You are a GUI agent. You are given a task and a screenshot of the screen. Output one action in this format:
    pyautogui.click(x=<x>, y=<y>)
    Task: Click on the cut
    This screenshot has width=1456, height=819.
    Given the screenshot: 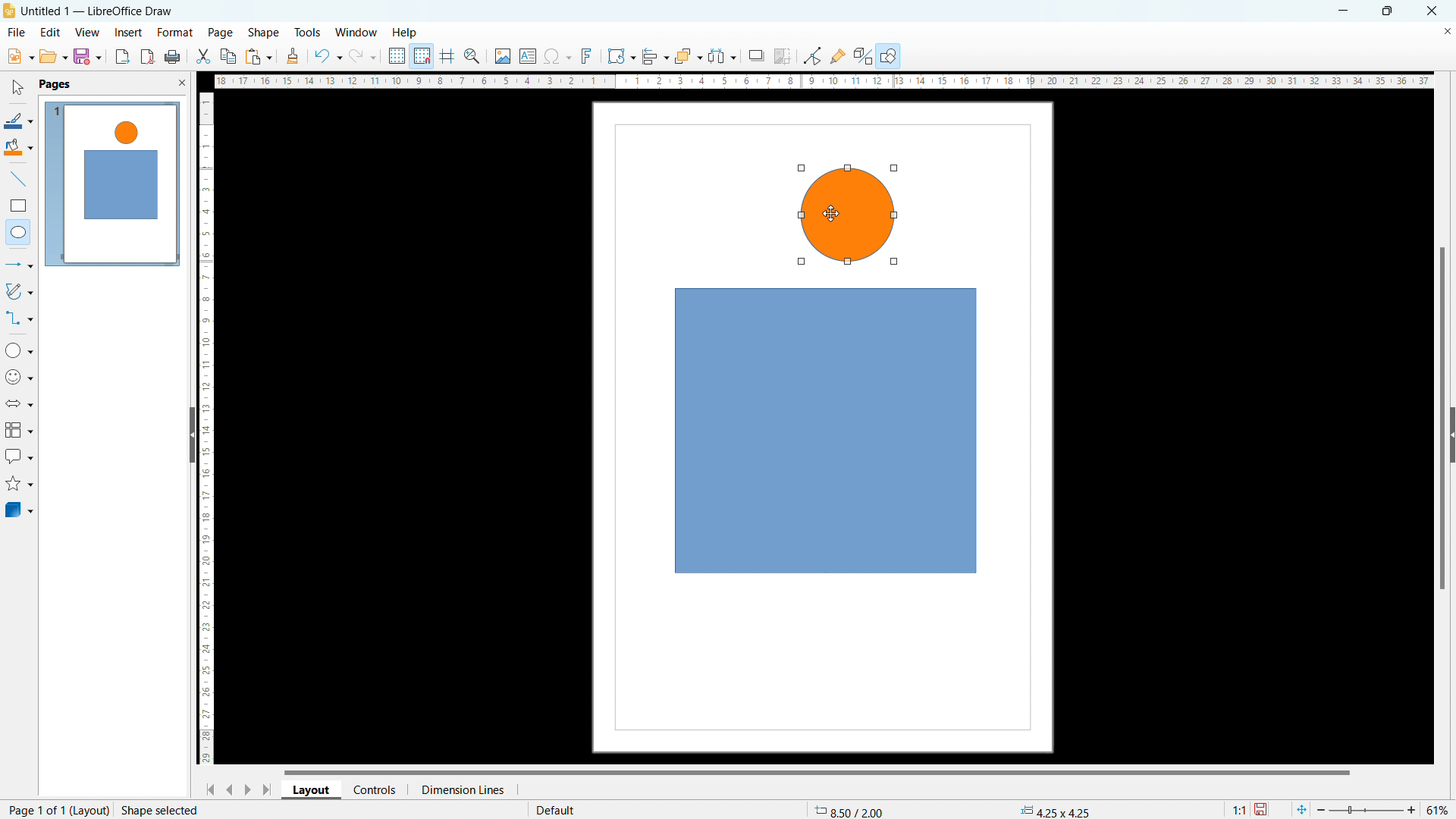 What is the action you would take?
    pyautogui.click(x=204, y=56)
    